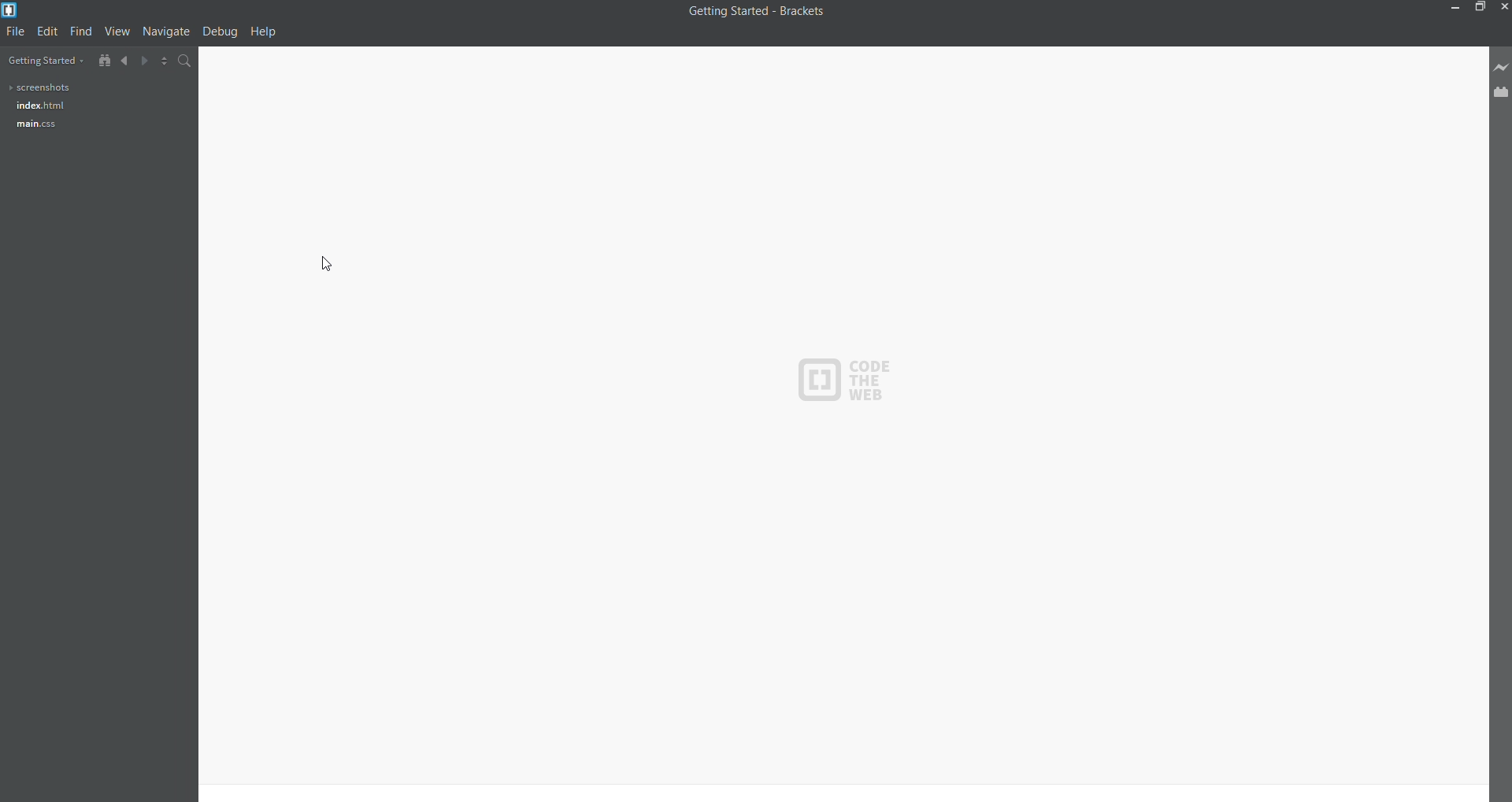 The width and height of the screenshot is (1512, 802). I want to click on close, so click(1503, 7).